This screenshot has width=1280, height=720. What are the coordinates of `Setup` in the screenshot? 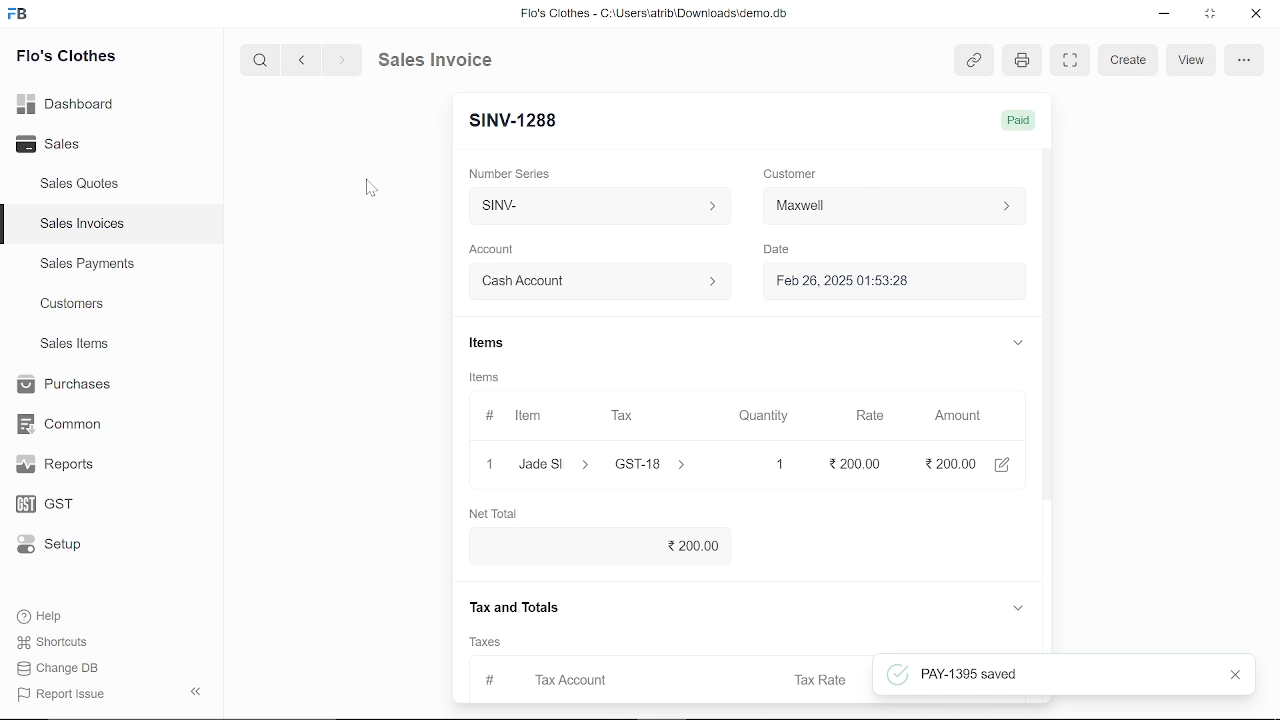 It's located at (63, 546).